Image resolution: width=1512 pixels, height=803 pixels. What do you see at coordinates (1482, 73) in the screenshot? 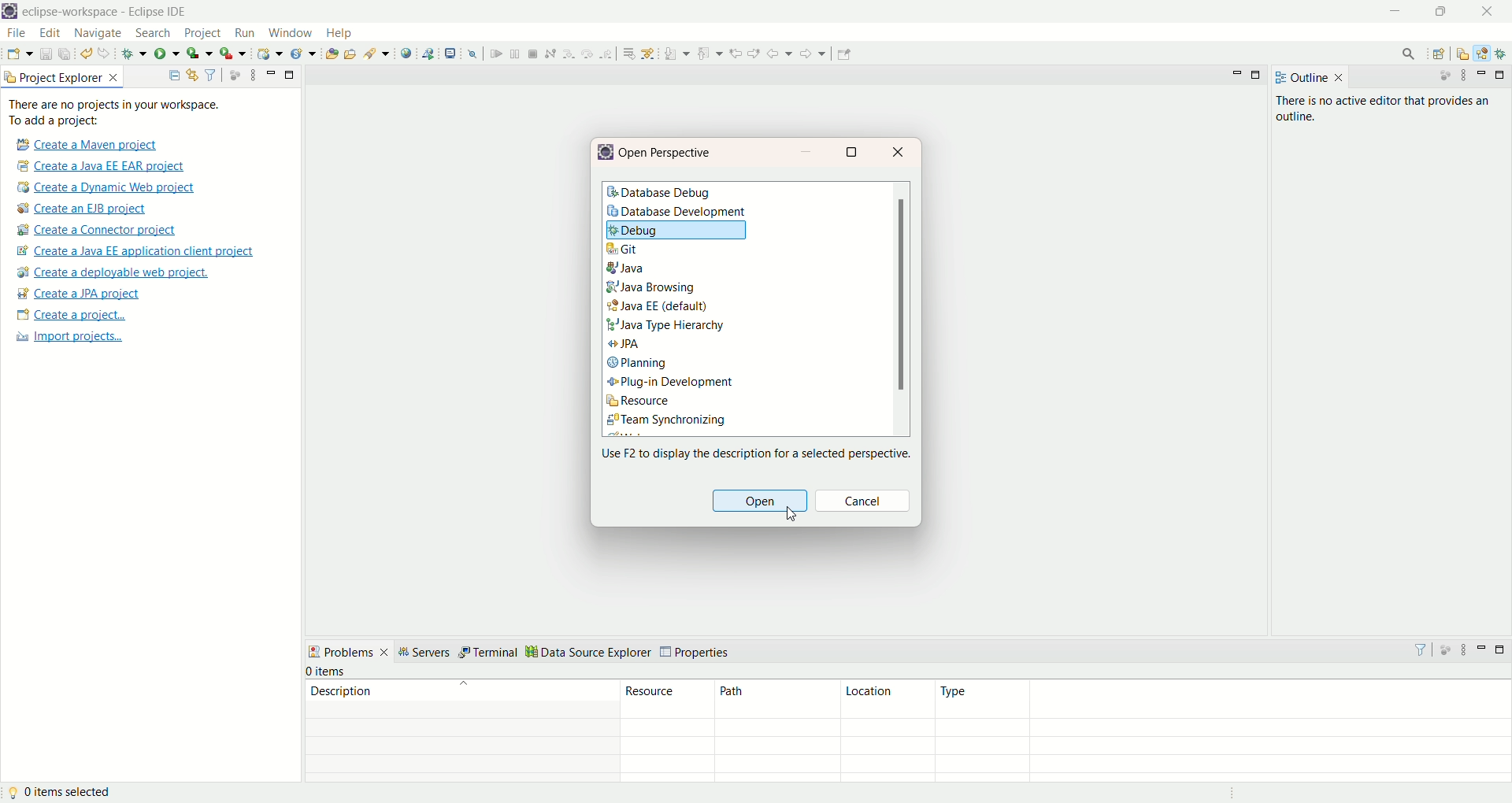
I see `minimize` at bounding box center [1482, 73].